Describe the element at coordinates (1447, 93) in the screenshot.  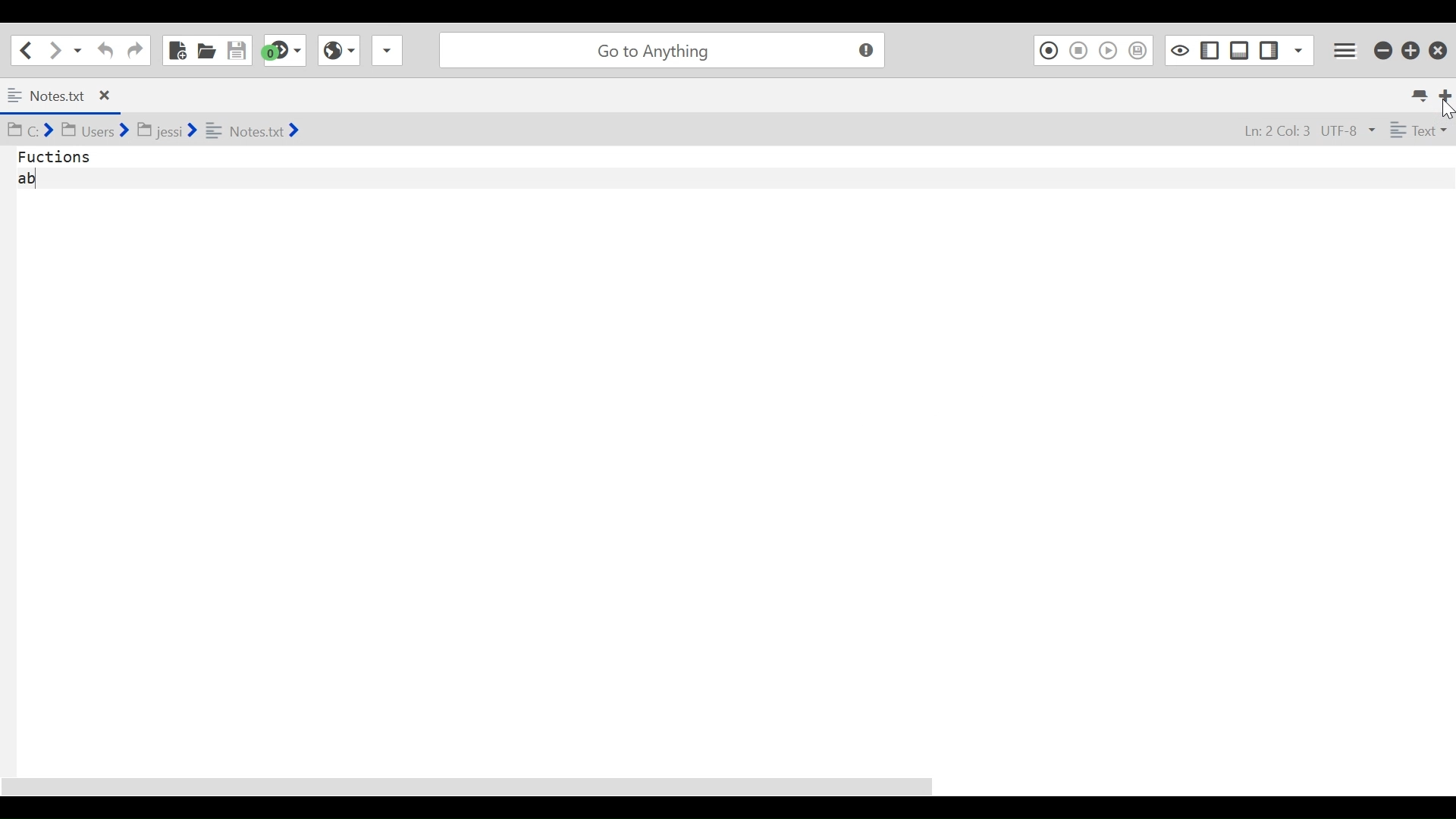
I see `Add new Tab` at that location.